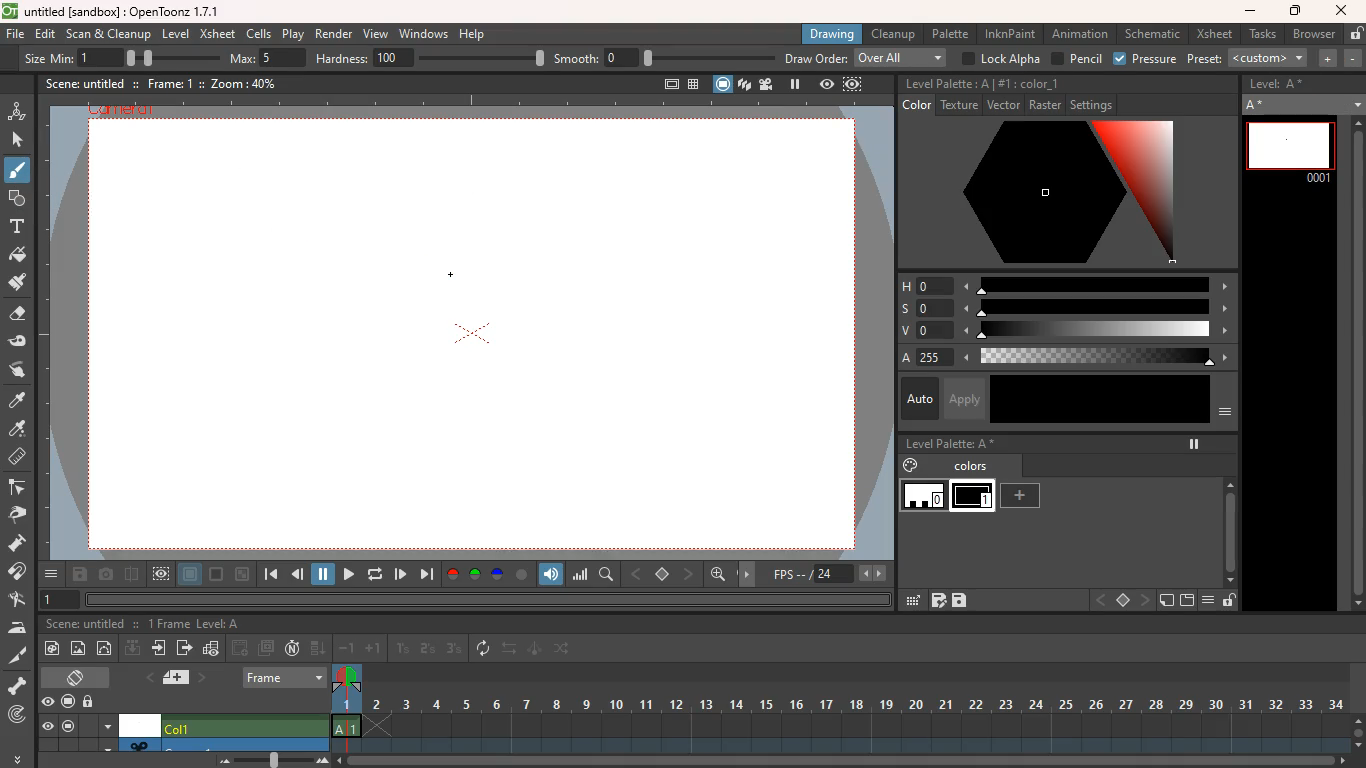 This screenshot has width=1366, height=768. Describe the element at coordinates (19, 286) in the screenshot. I see `paint` at that location.